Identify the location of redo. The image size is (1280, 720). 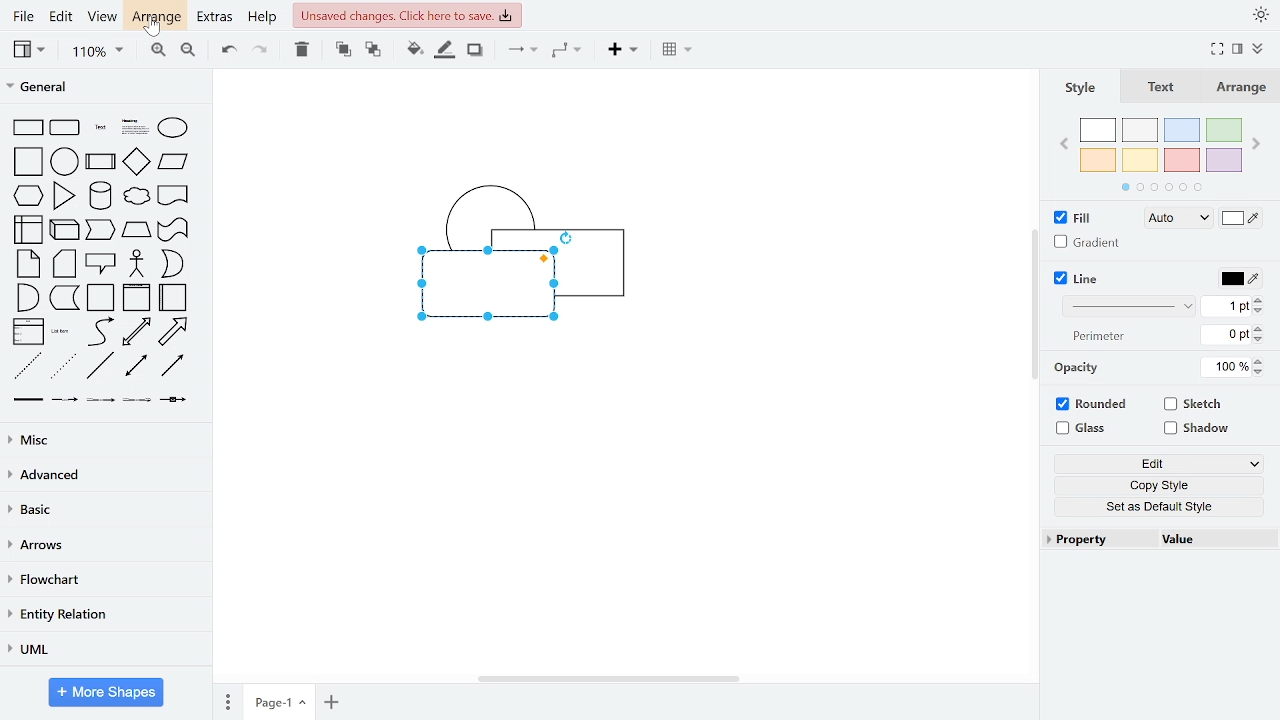
(259, 52).